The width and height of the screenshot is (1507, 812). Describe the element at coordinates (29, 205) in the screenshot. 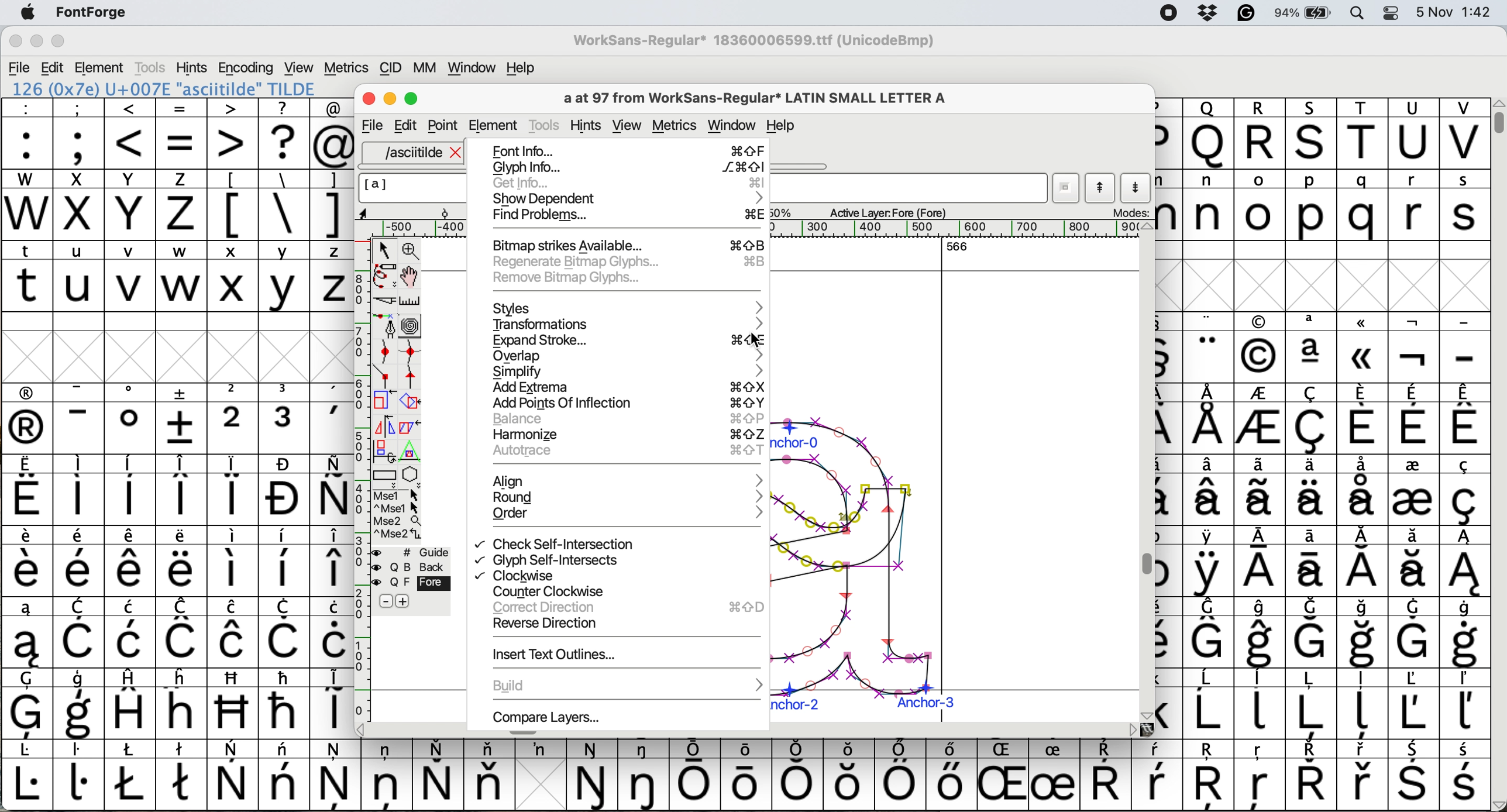

I see `W` at that location.